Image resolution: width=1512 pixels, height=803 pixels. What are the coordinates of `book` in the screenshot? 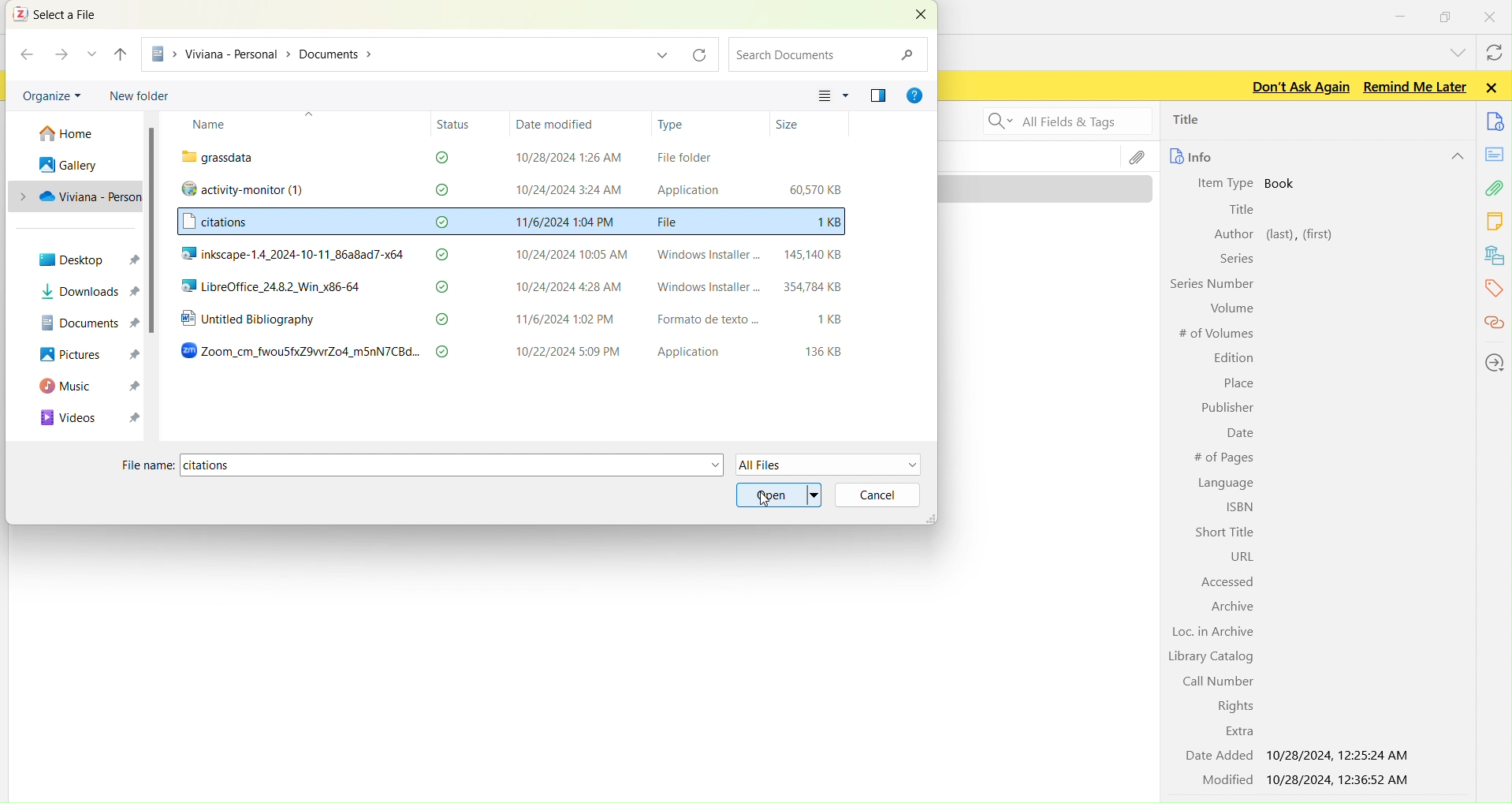 It's located at (1289, 184).